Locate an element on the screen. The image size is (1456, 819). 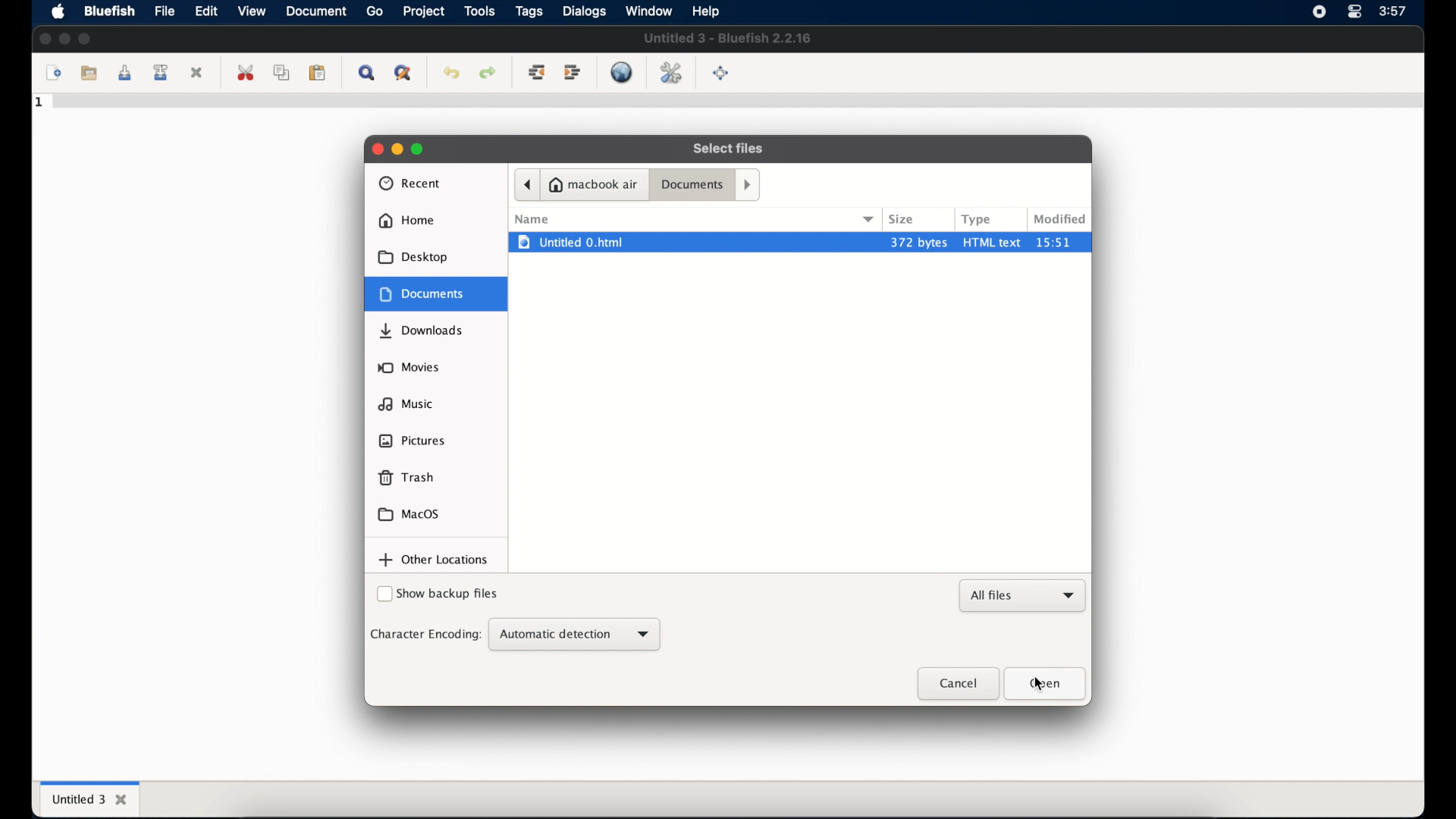
downloads is located at coordinates (423, 331).